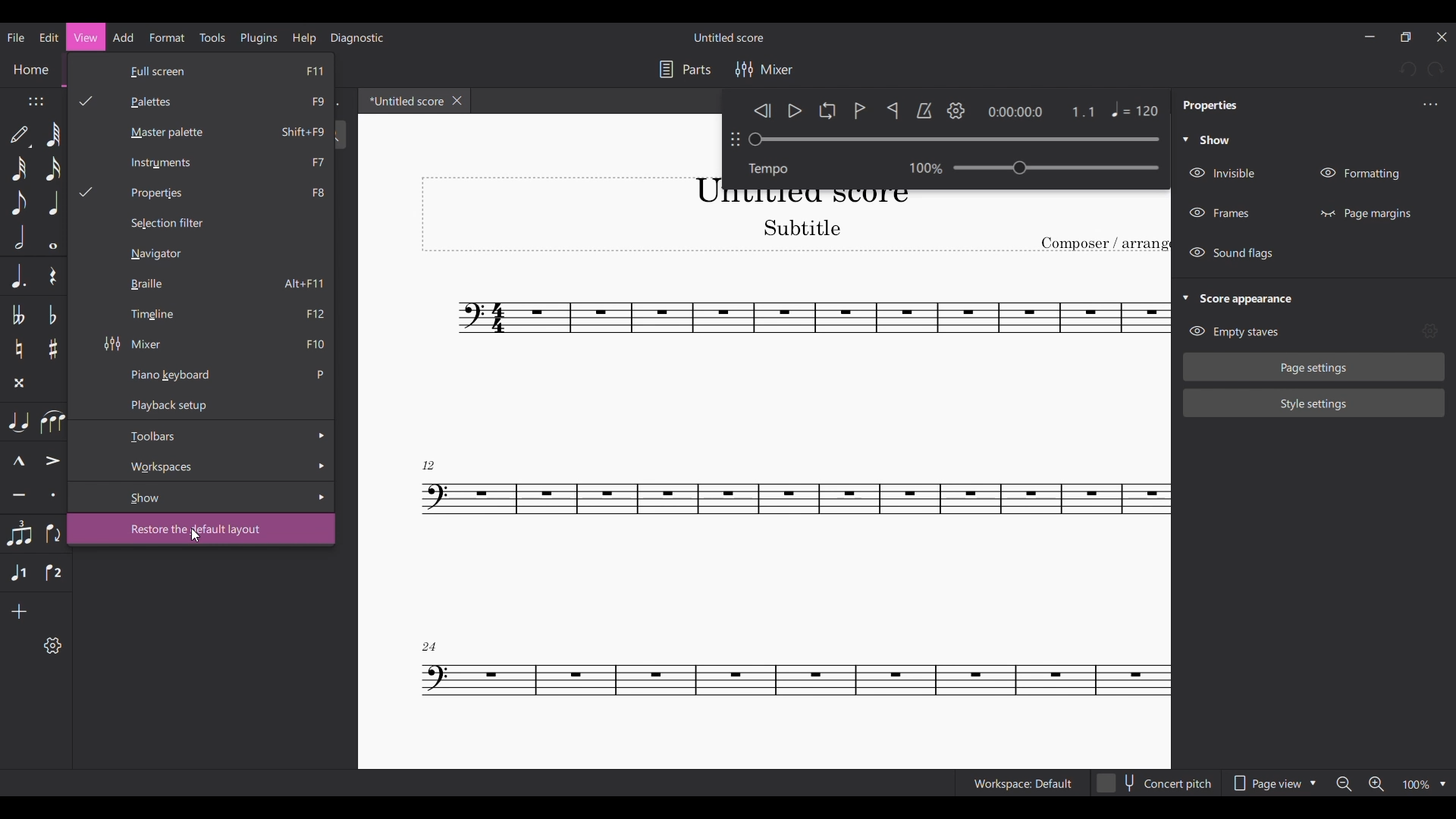  Describe the element at coordinates (49, 37) in the screenshot. I see `Edit` at that location.